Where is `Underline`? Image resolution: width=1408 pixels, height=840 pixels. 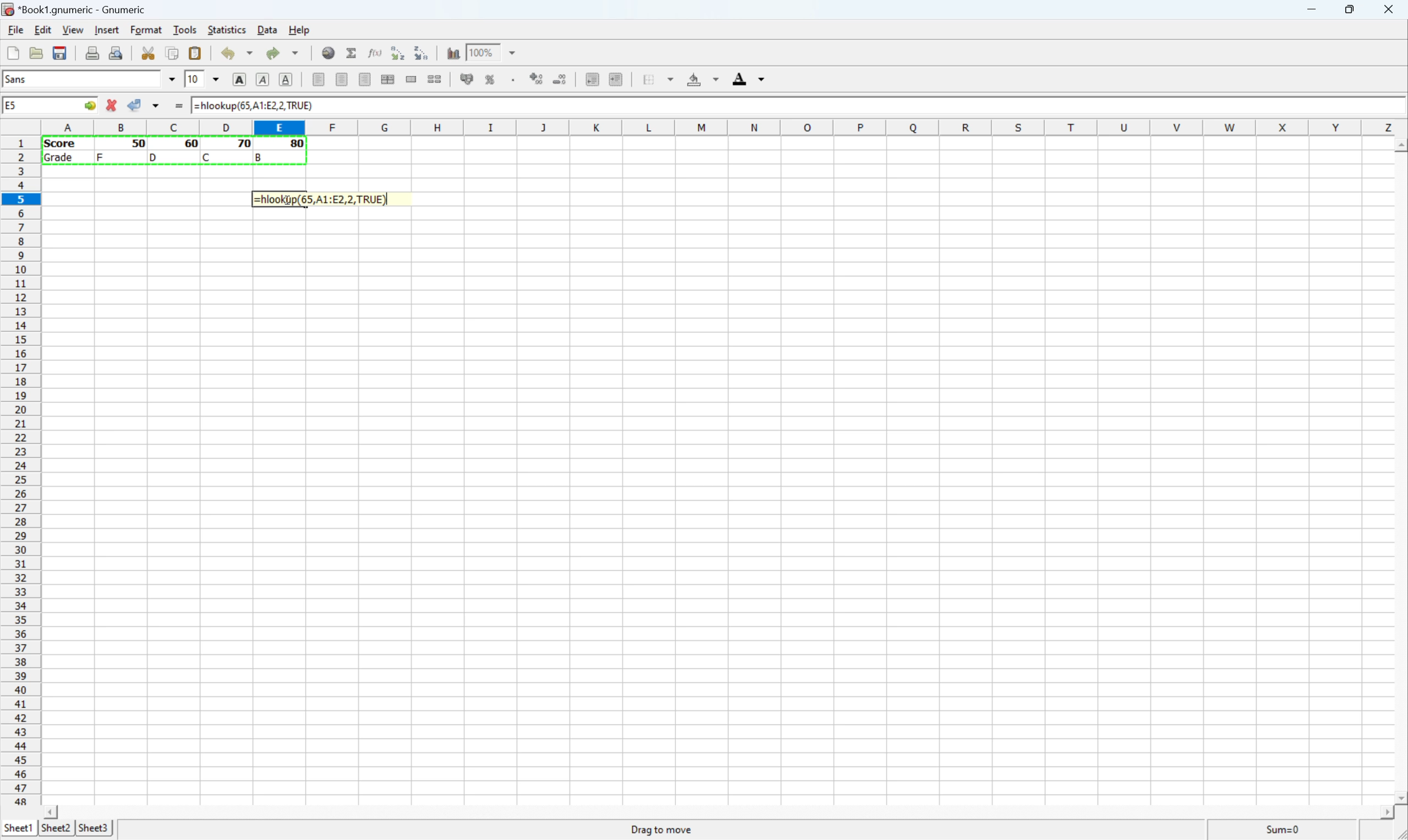 Underline is located at coordinates (284, 80).